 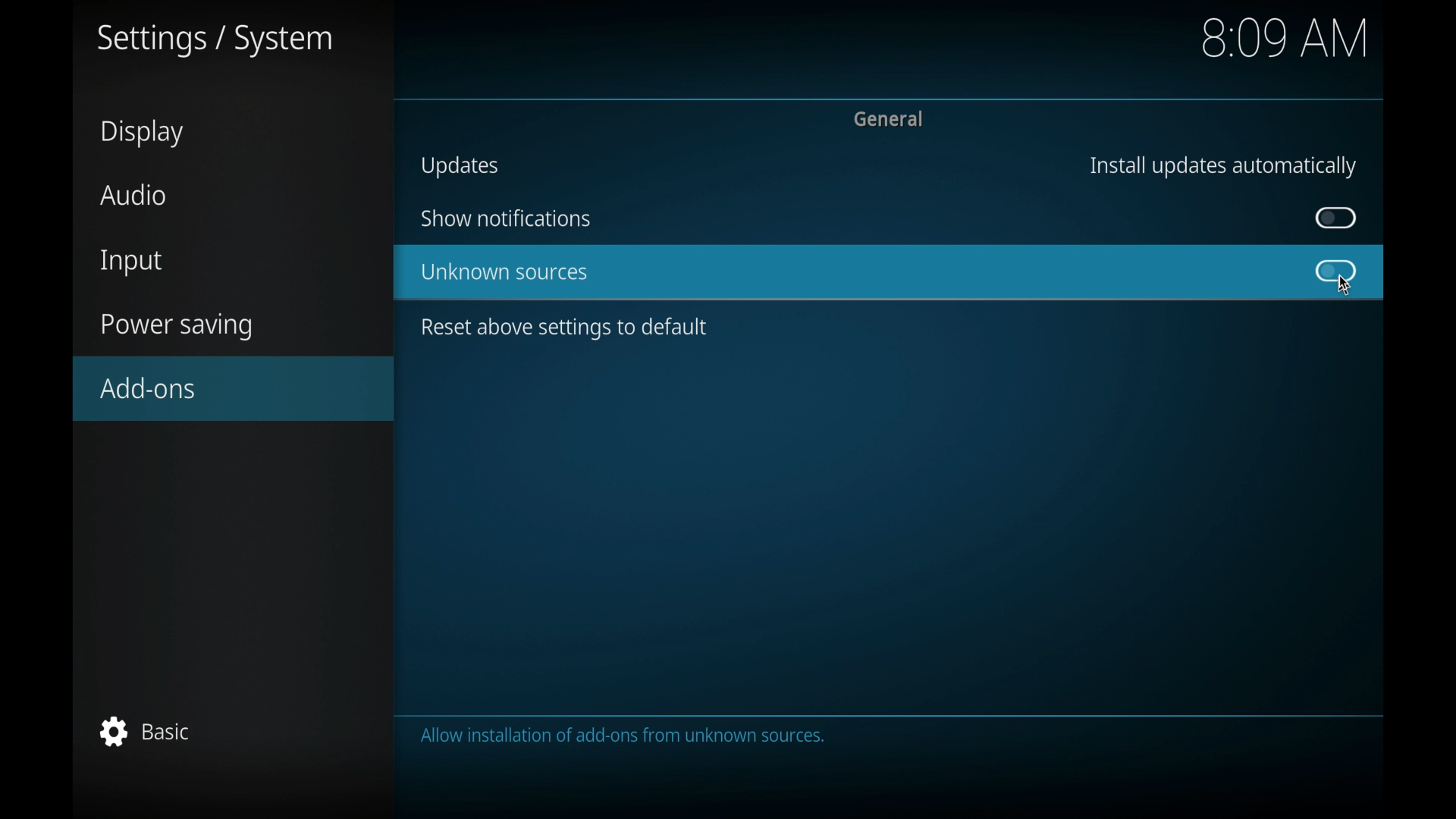 What do you see at coordinates (1344, 286) in the screenshot?
I see `cursor` at bounding box center [1344, 286].